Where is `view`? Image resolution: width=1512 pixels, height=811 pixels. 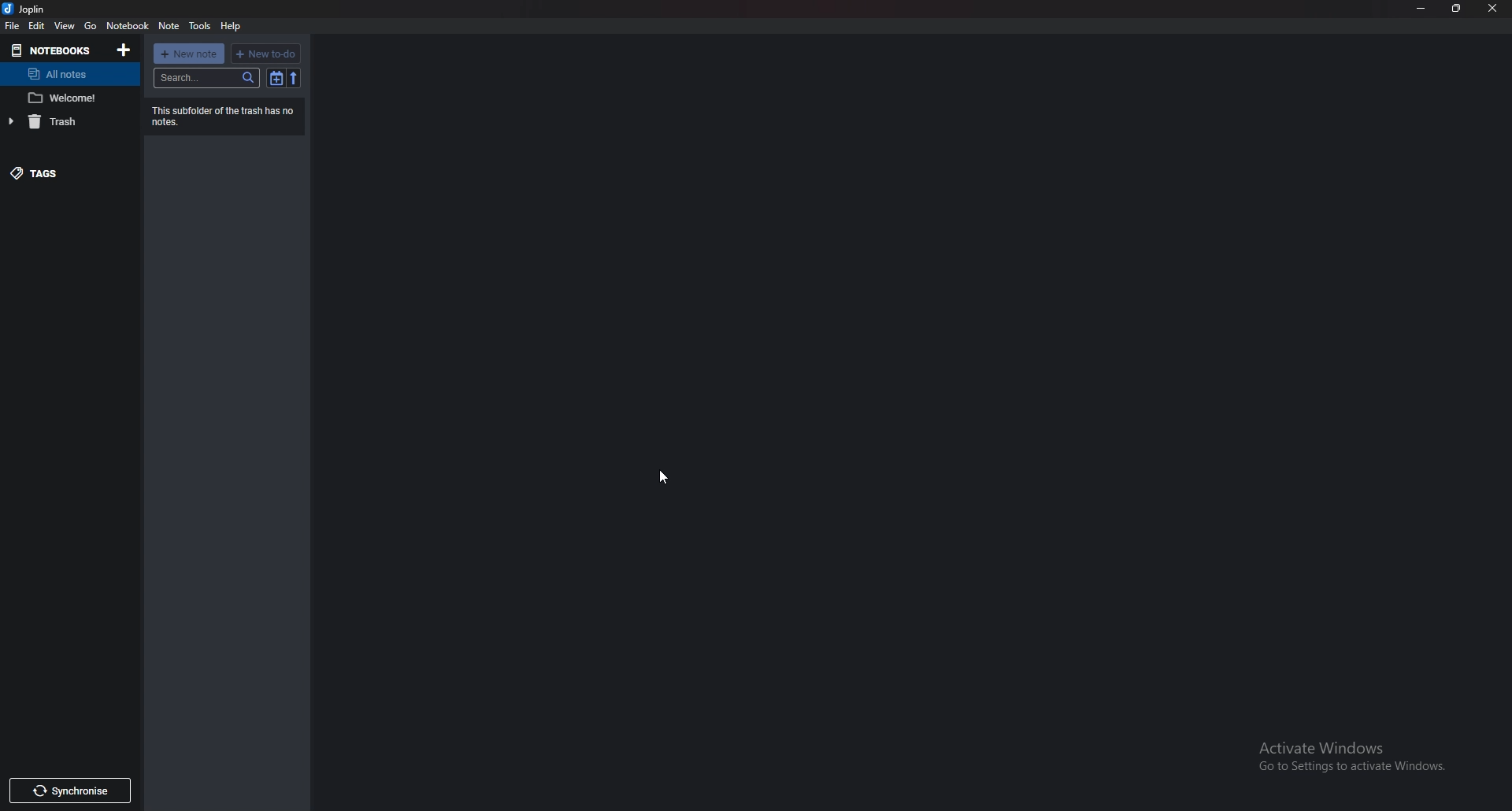 view is located at coordinates (66, 25).